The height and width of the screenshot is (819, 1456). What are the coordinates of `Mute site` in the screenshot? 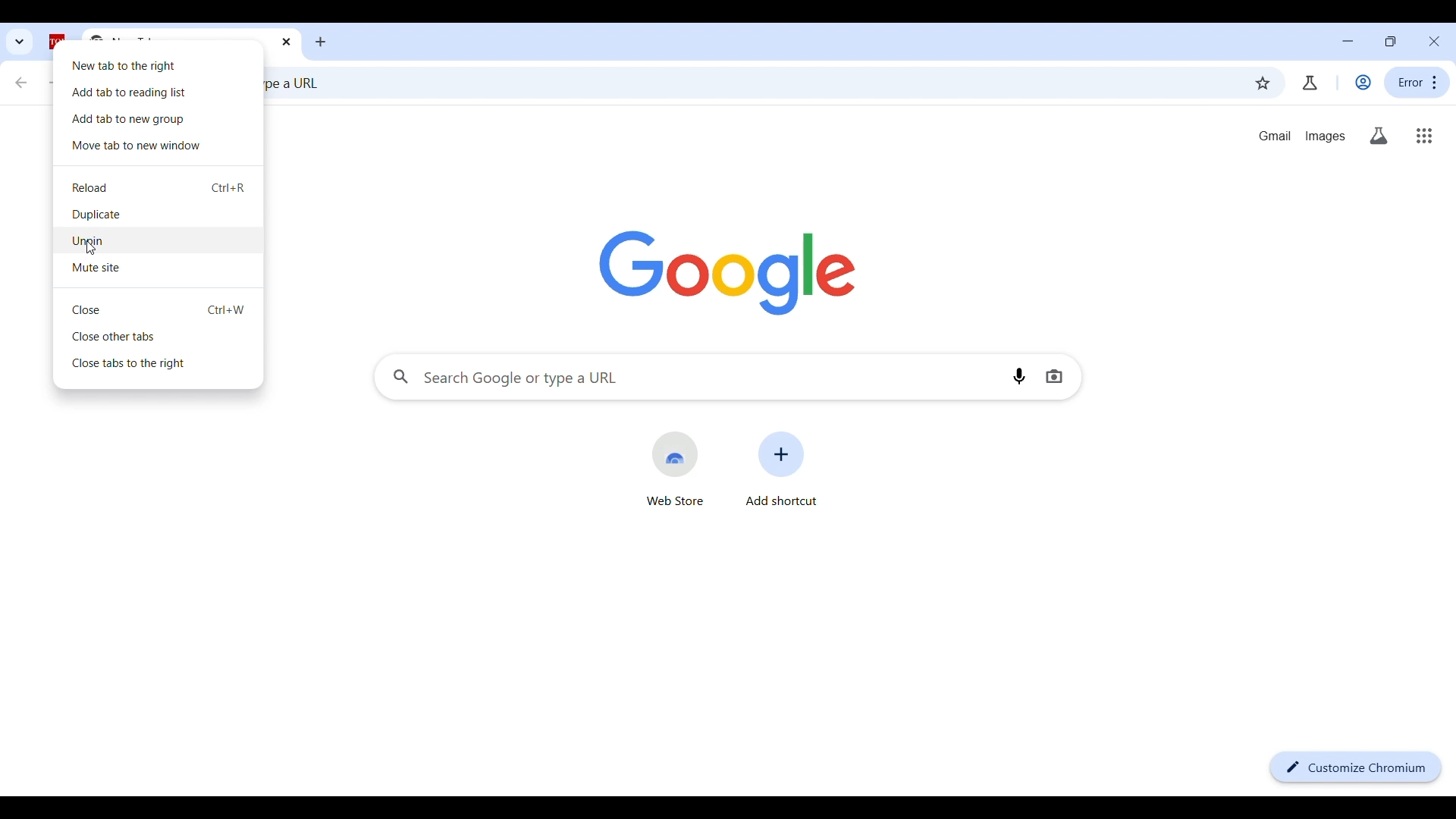 It's located at (160, 268).